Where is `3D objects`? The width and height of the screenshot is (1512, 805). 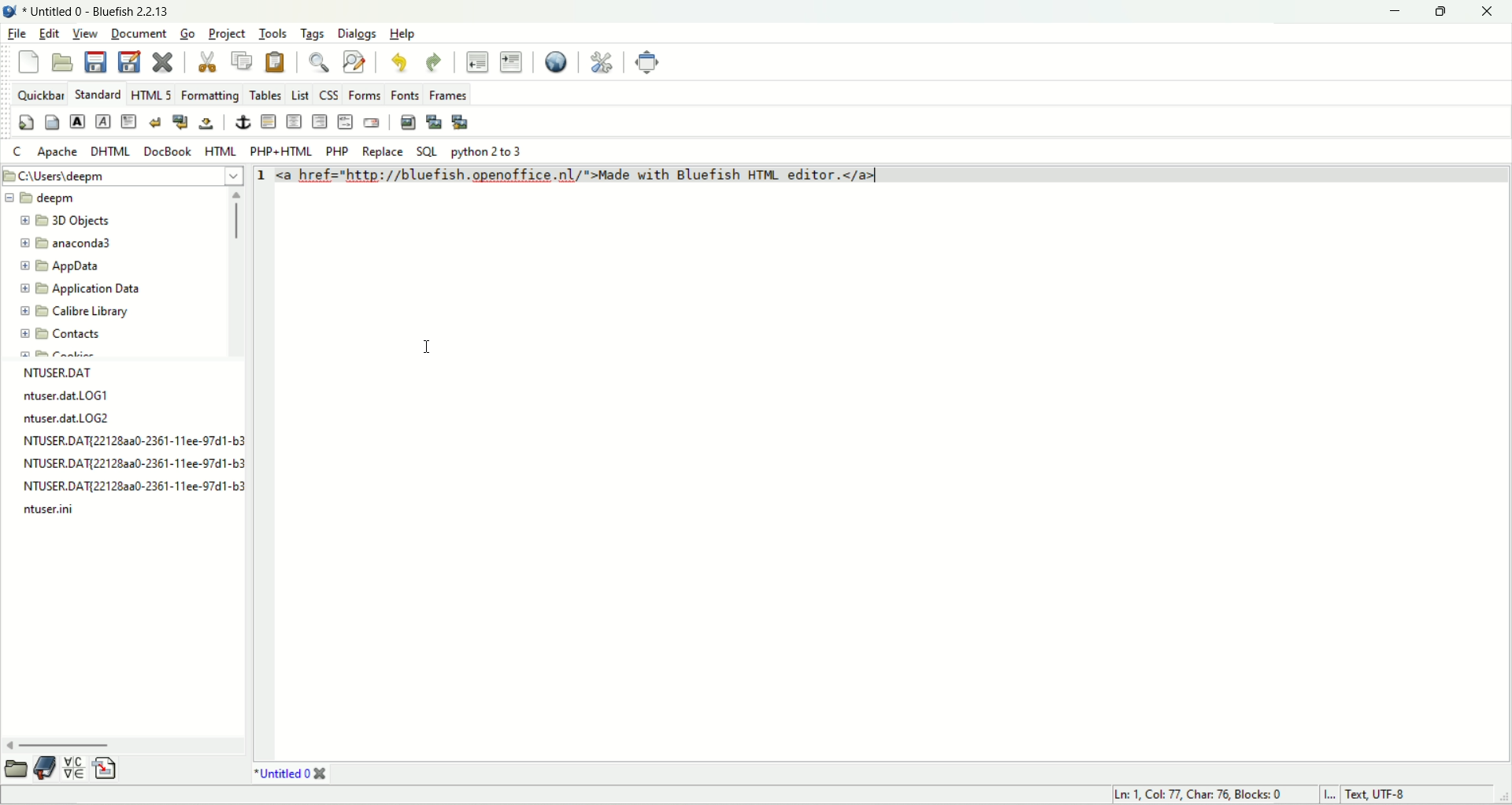
3D objects is located at coordinates (64, 219).